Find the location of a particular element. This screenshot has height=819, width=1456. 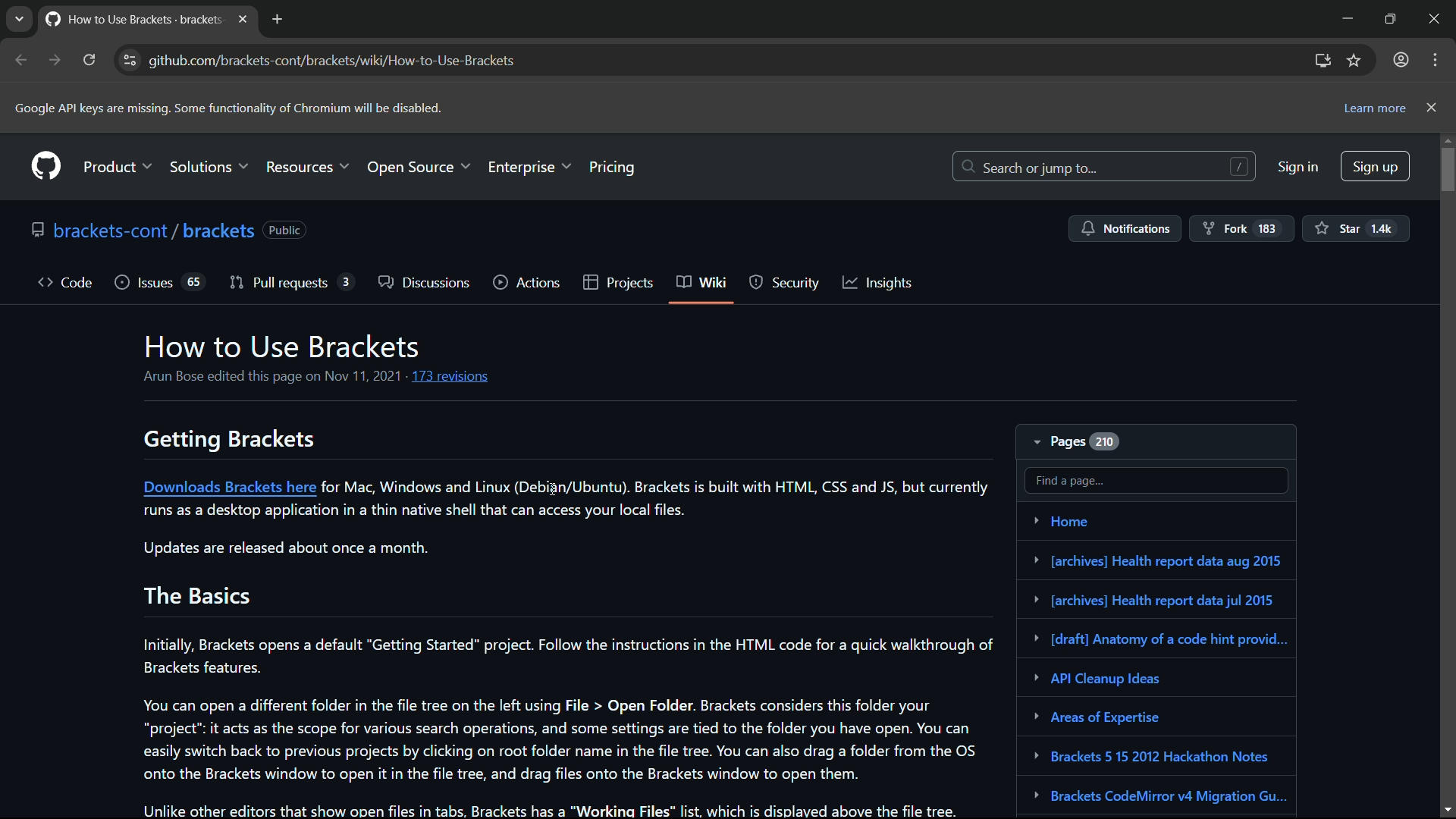

close app is located at coordinates (1437, 18).